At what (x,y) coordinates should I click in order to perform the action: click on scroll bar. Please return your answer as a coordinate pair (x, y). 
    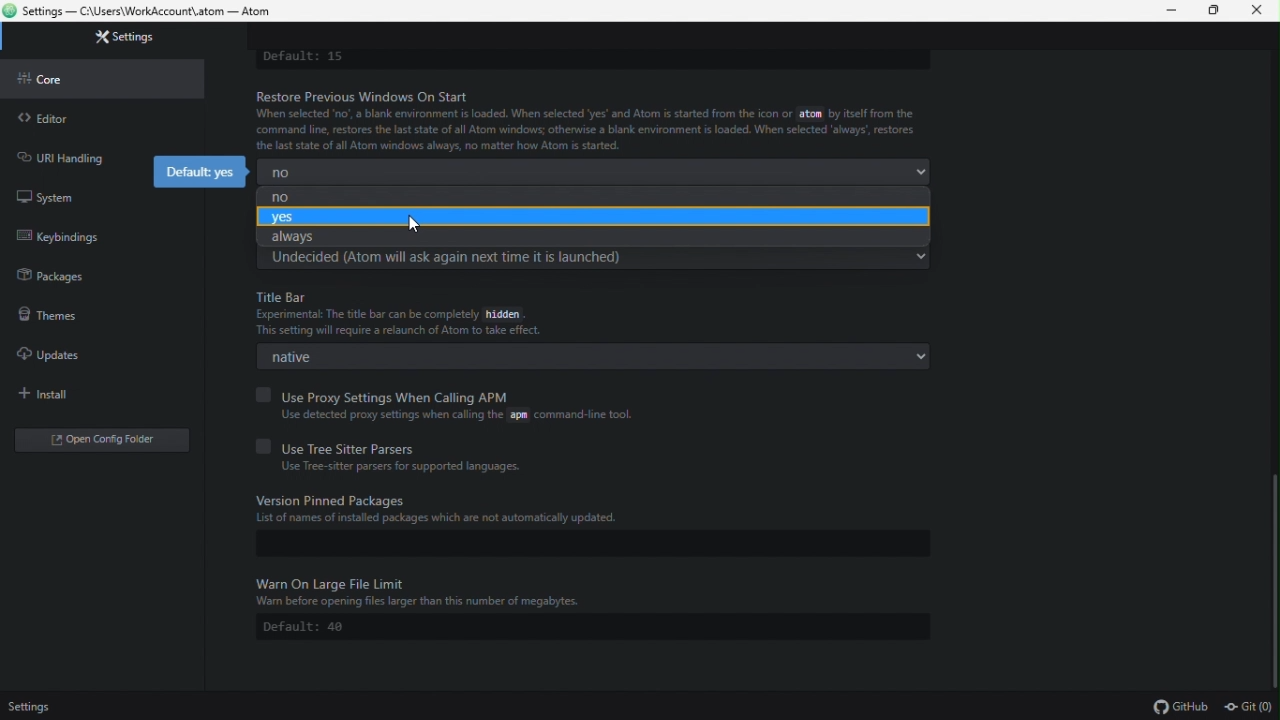
    Looking at the image, I should click on (1272, 572).